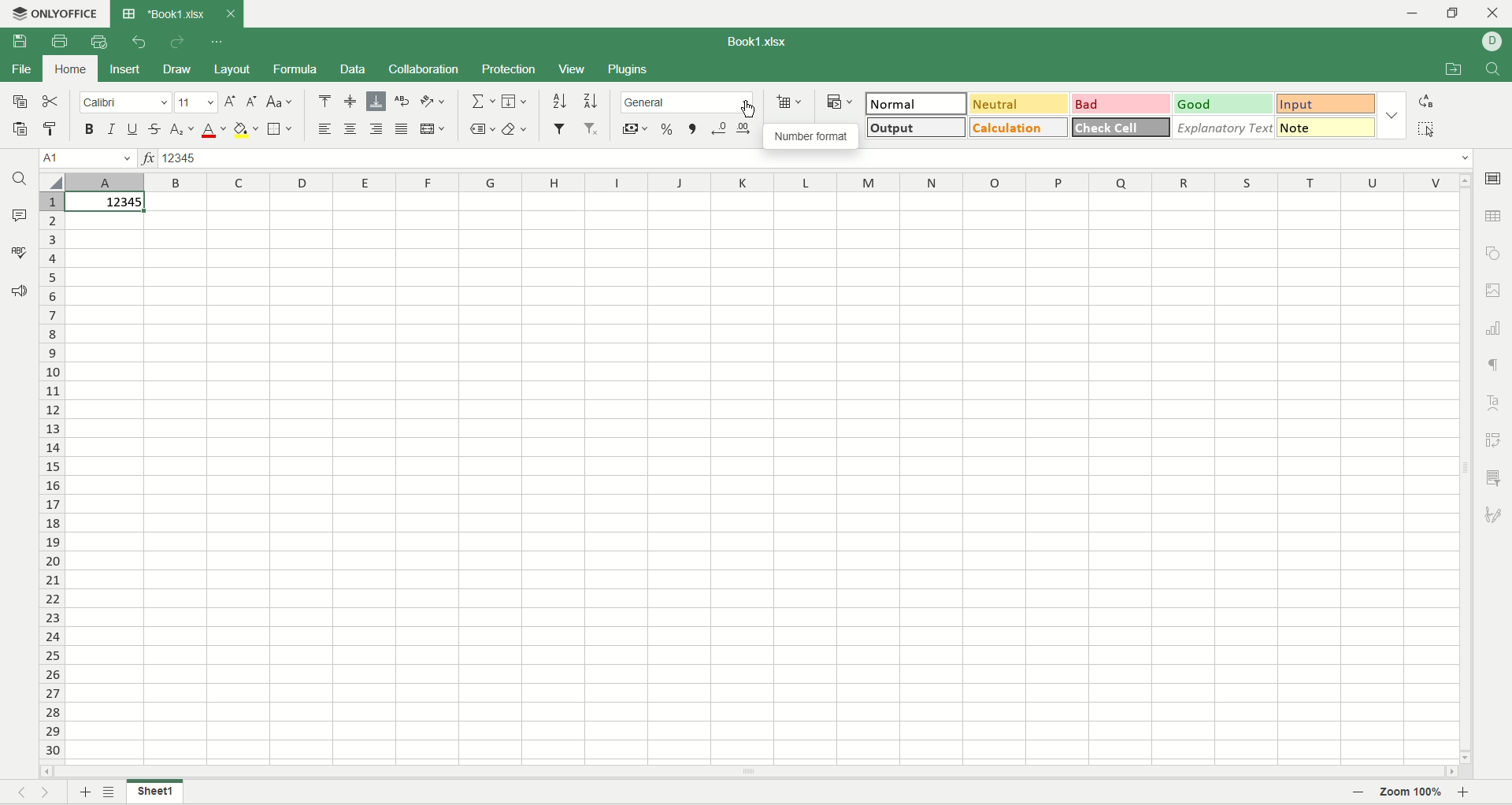 The height and width of the screenshot is (805, 1512). What do you see at coordinates (296, 70) in the screenshot?
I see `formula` at bounding box center [296, 70].